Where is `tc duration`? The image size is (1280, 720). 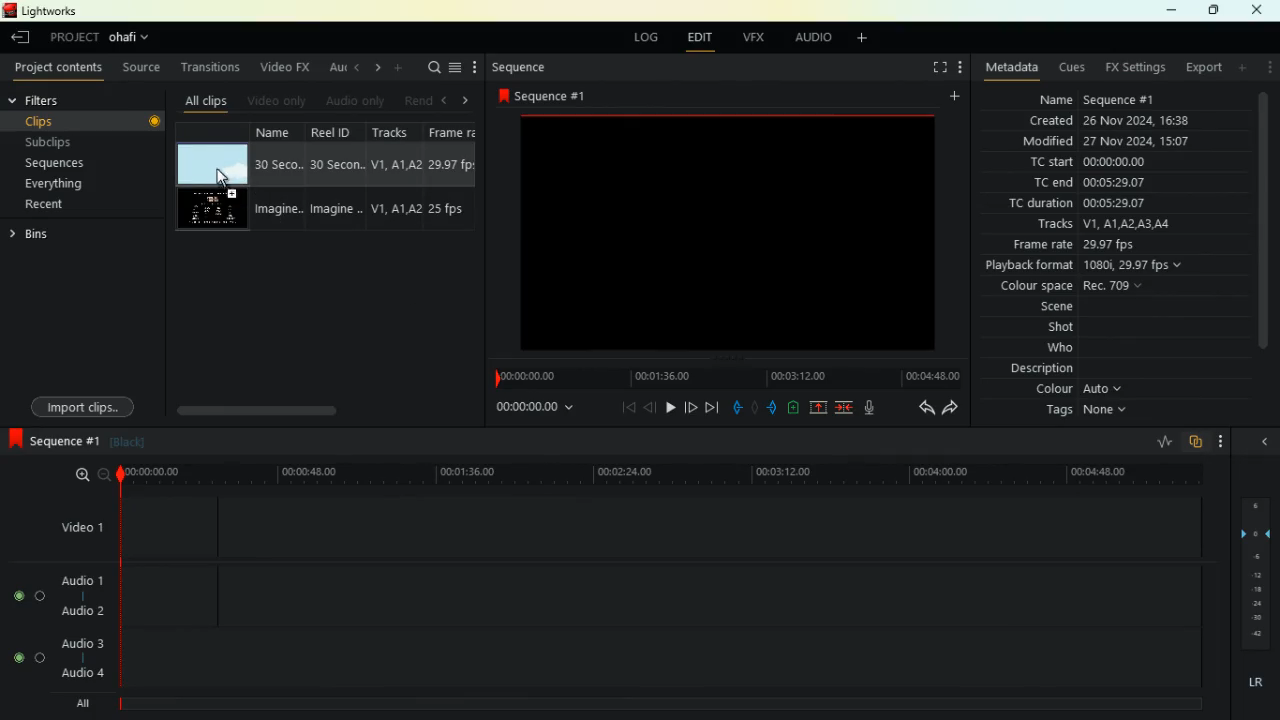
tc duration is located at coordinates (1042, 202).